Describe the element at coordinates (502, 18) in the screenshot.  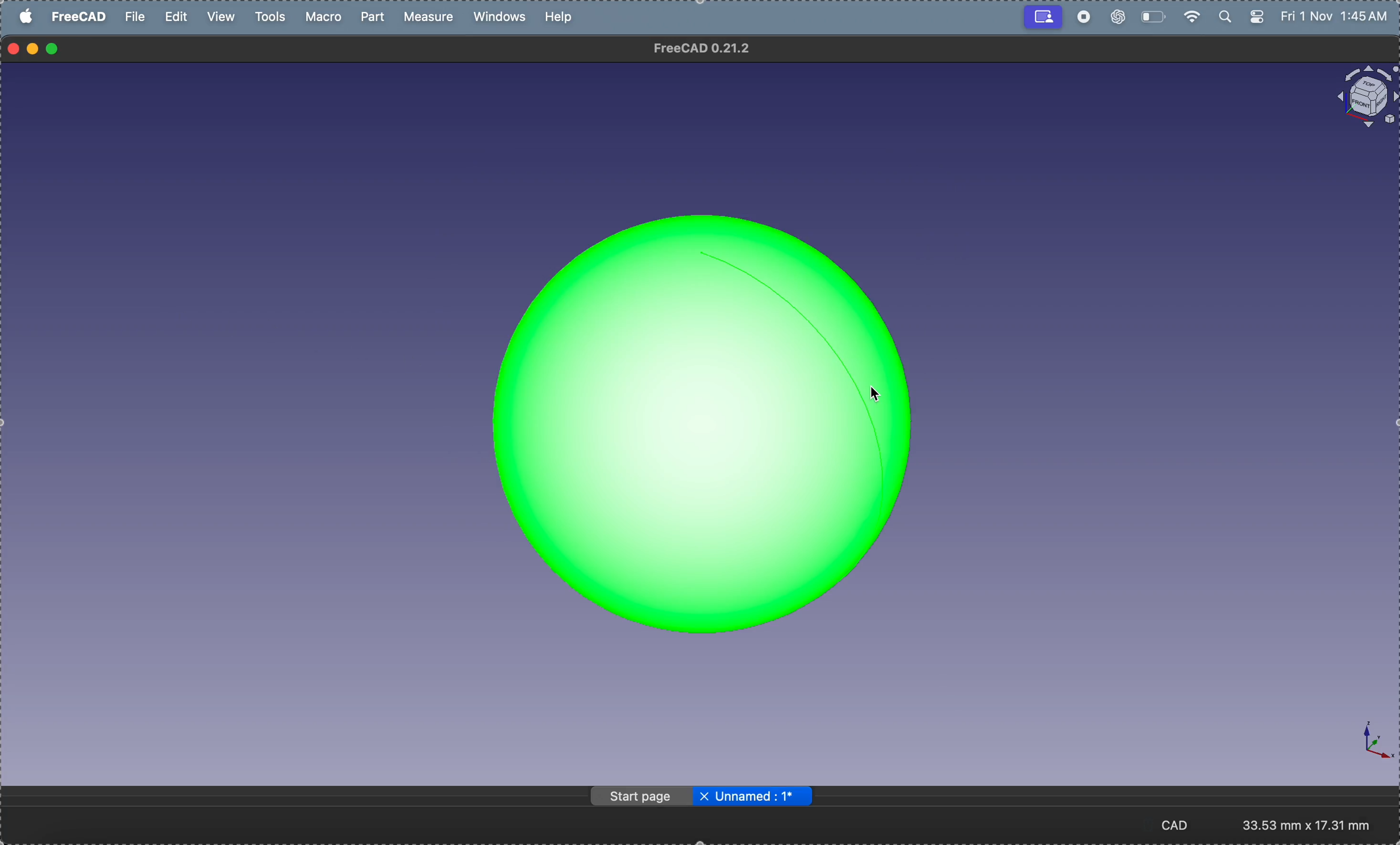
I see `windows` at that location.